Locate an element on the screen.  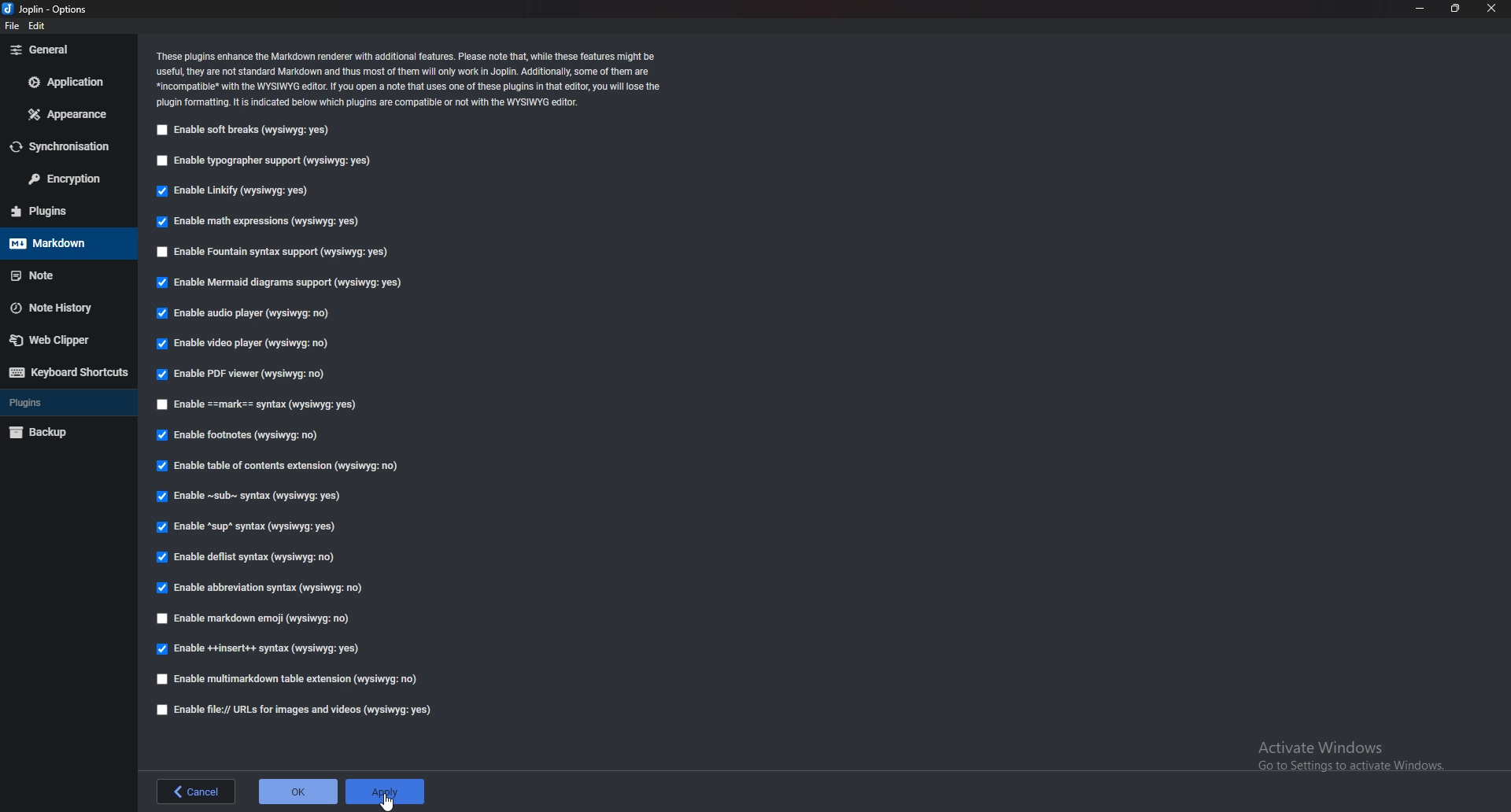
Enable P D F viewer is located at coordinates (239, 374).